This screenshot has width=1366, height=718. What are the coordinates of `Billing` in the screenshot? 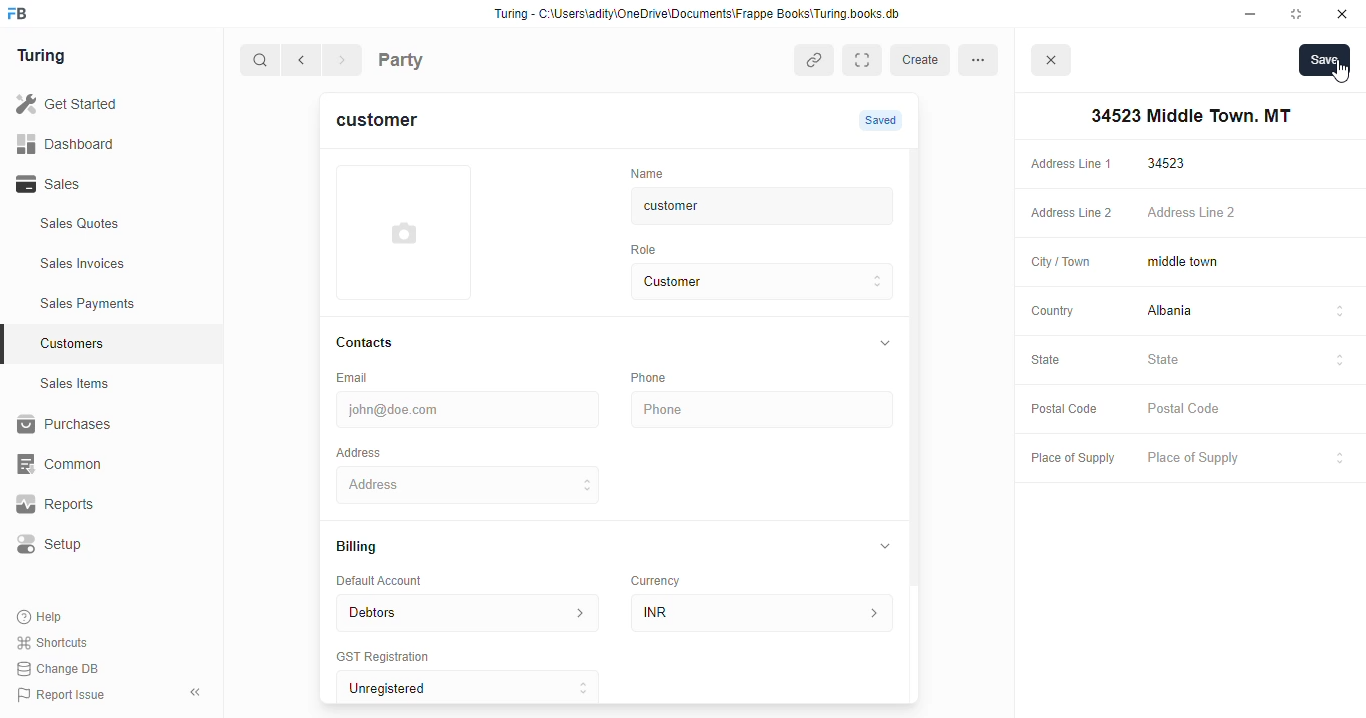 It's located at (366, 548).